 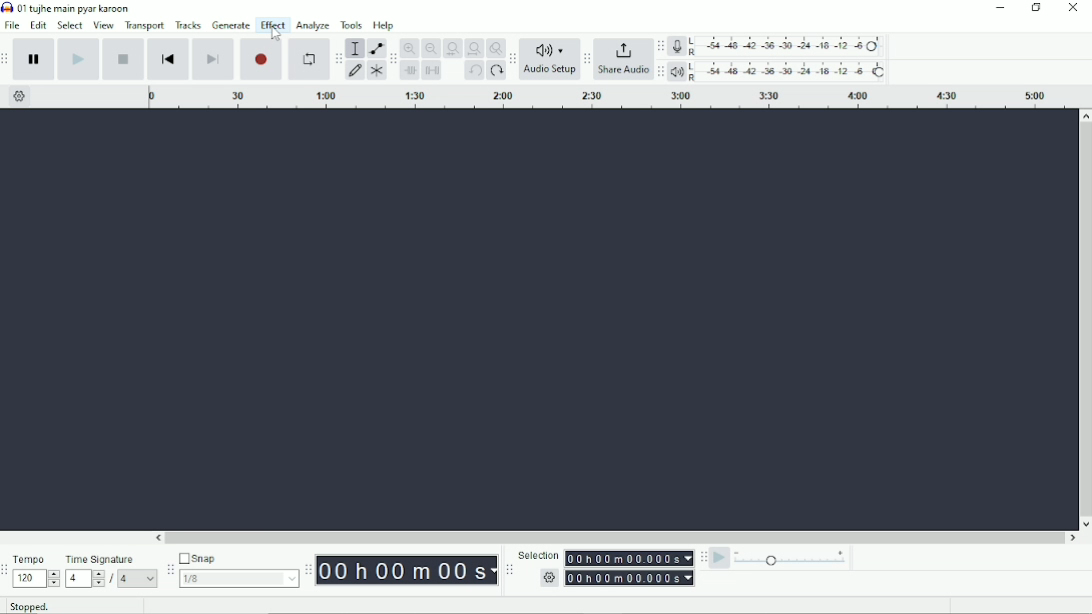 What do you see at coordinates (451, 48) in the screenshot?
I see `Fit selection to width` at bounding box center [451, 48].